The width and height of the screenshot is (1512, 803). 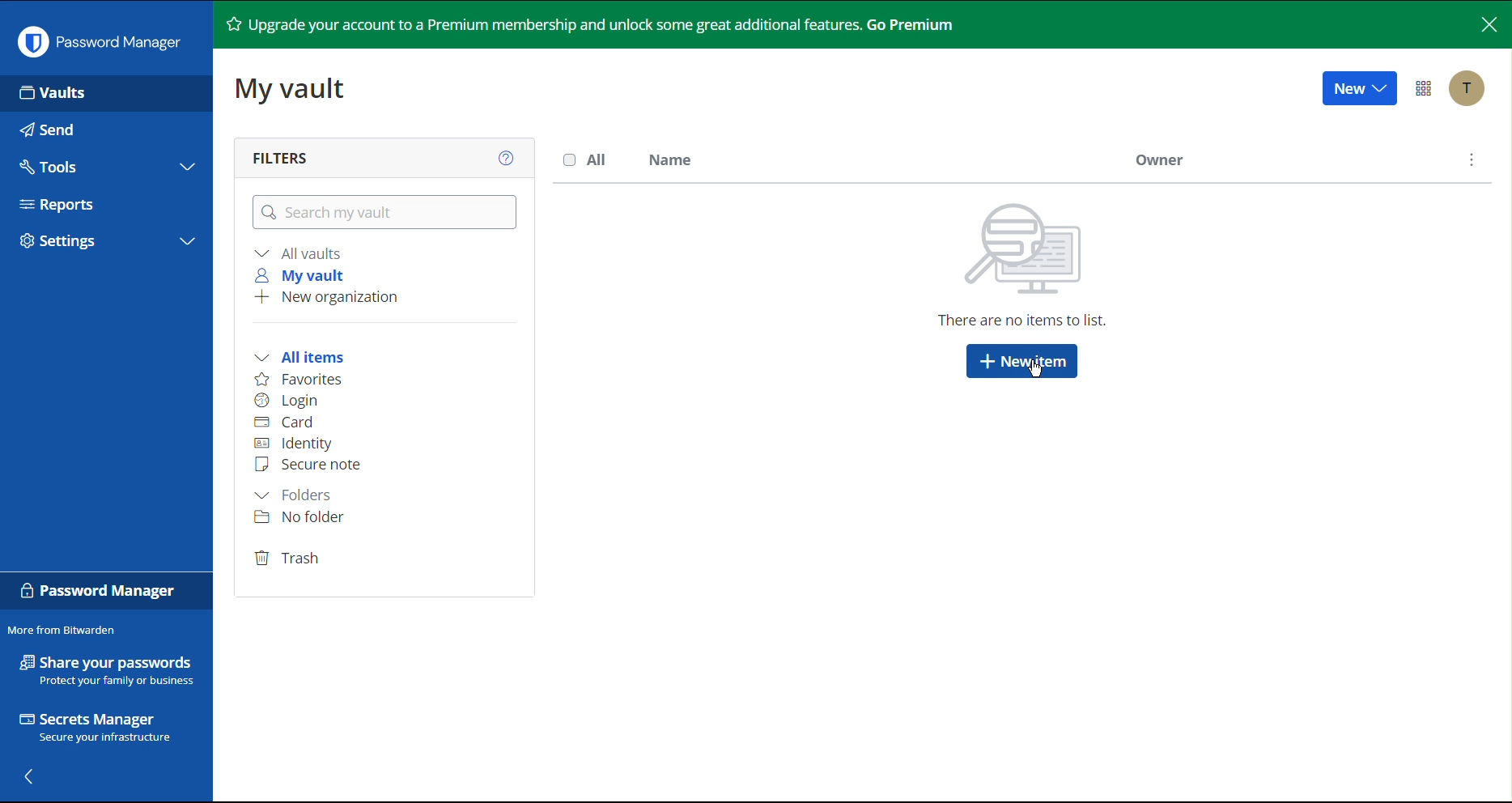 What do you see at coordinates (295, 495) in the screenshot?
I see `Folders` at bounding box center [295, 495].